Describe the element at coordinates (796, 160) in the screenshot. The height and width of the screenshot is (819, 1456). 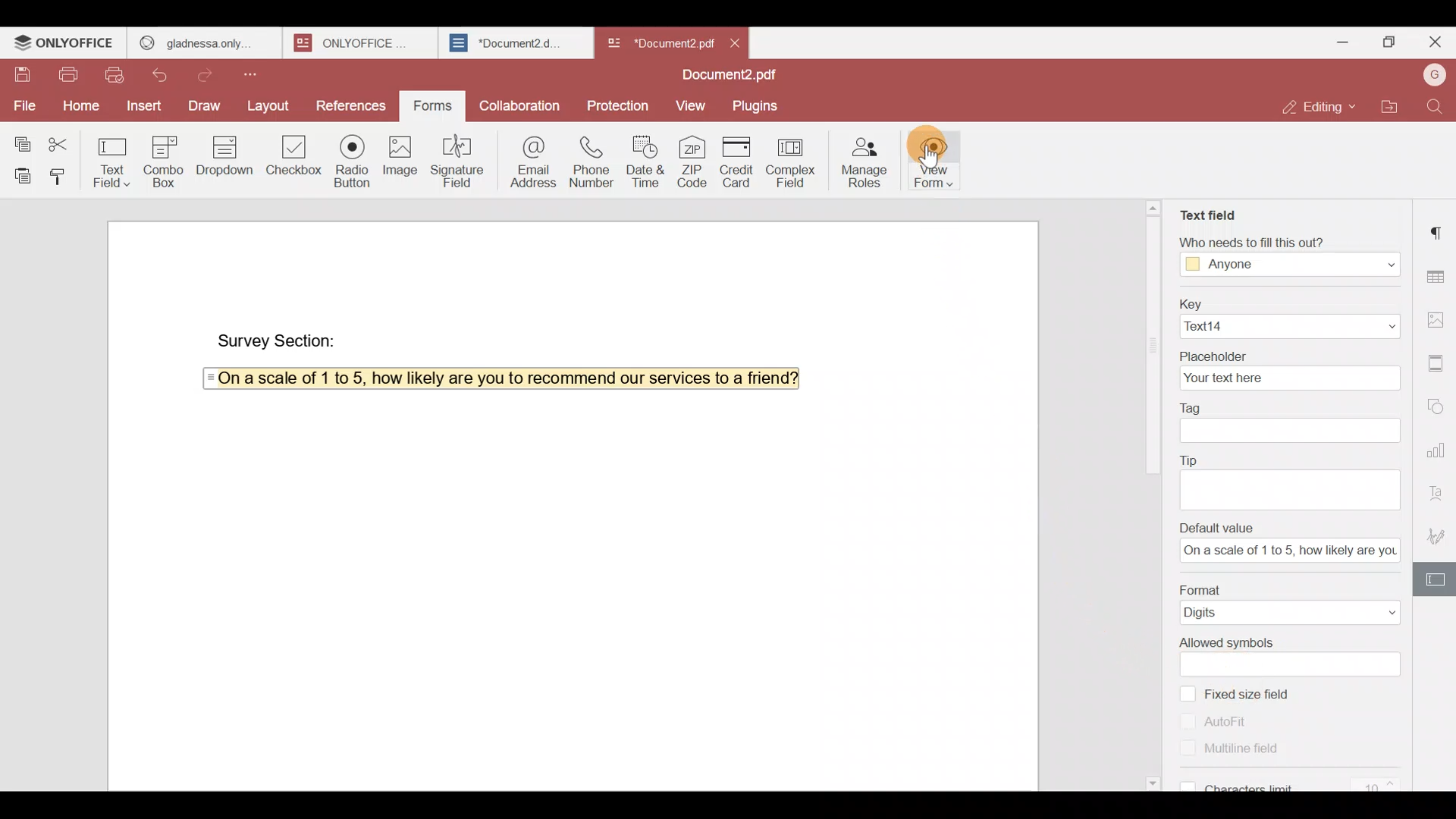
I see `Complex field` at that location.